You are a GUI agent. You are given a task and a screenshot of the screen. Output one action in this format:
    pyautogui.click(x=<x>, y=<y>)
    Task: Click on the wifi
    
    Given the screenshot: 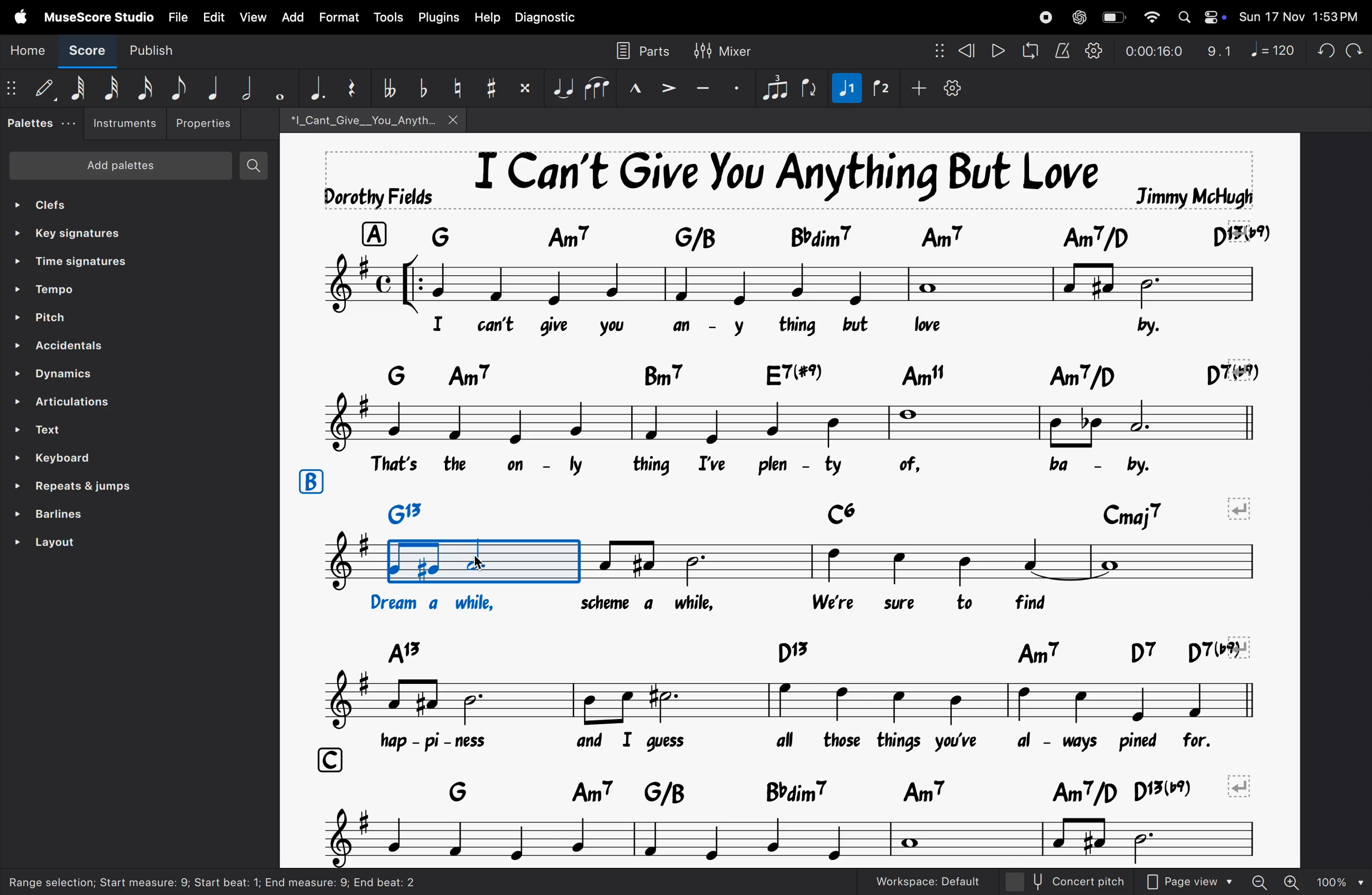 What is the action you would take?
    pyautogui.click(x=1149, y=17)
    